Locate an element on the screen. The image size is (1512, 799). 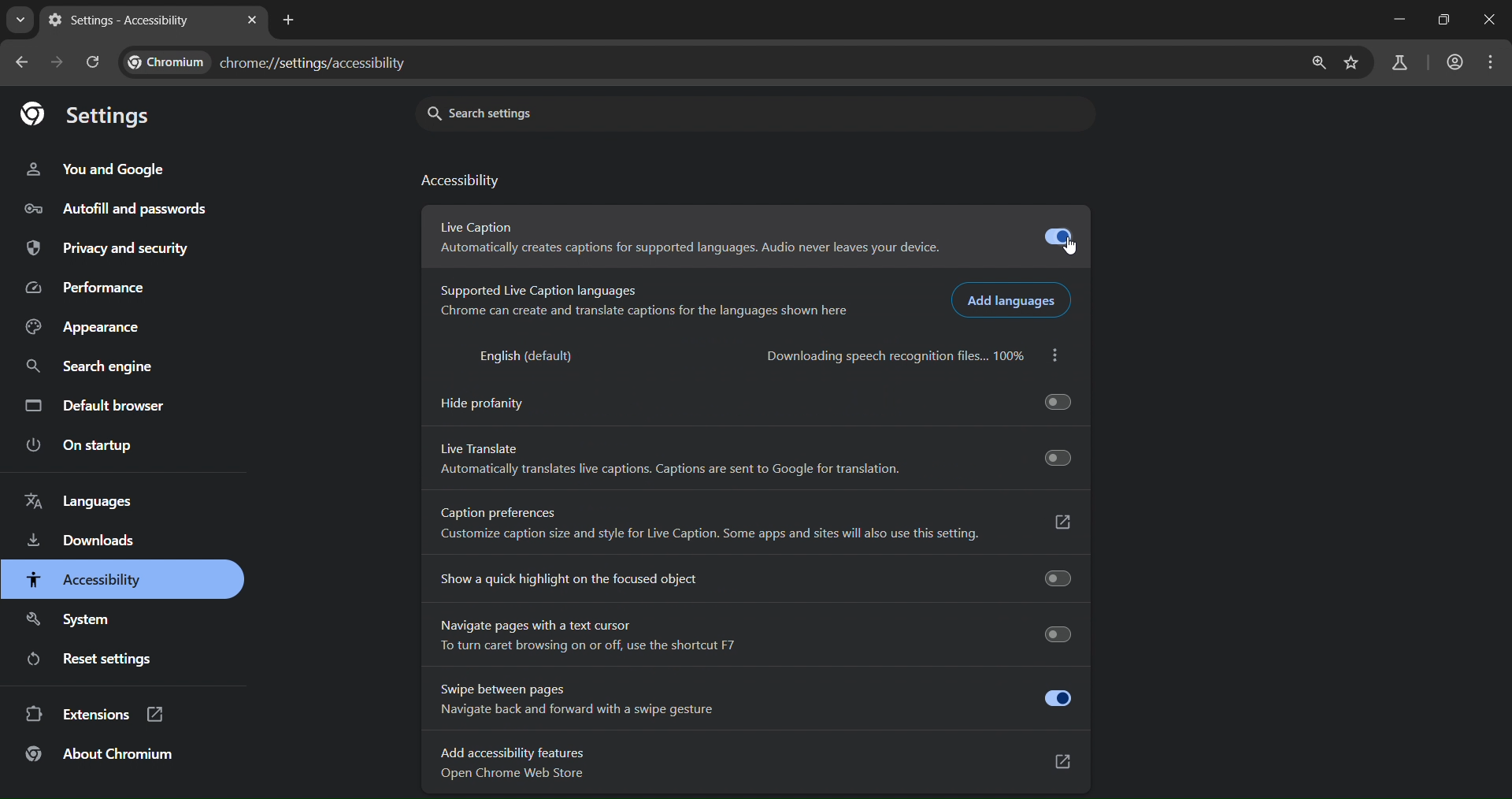
system is located at coordinates (77, 622).